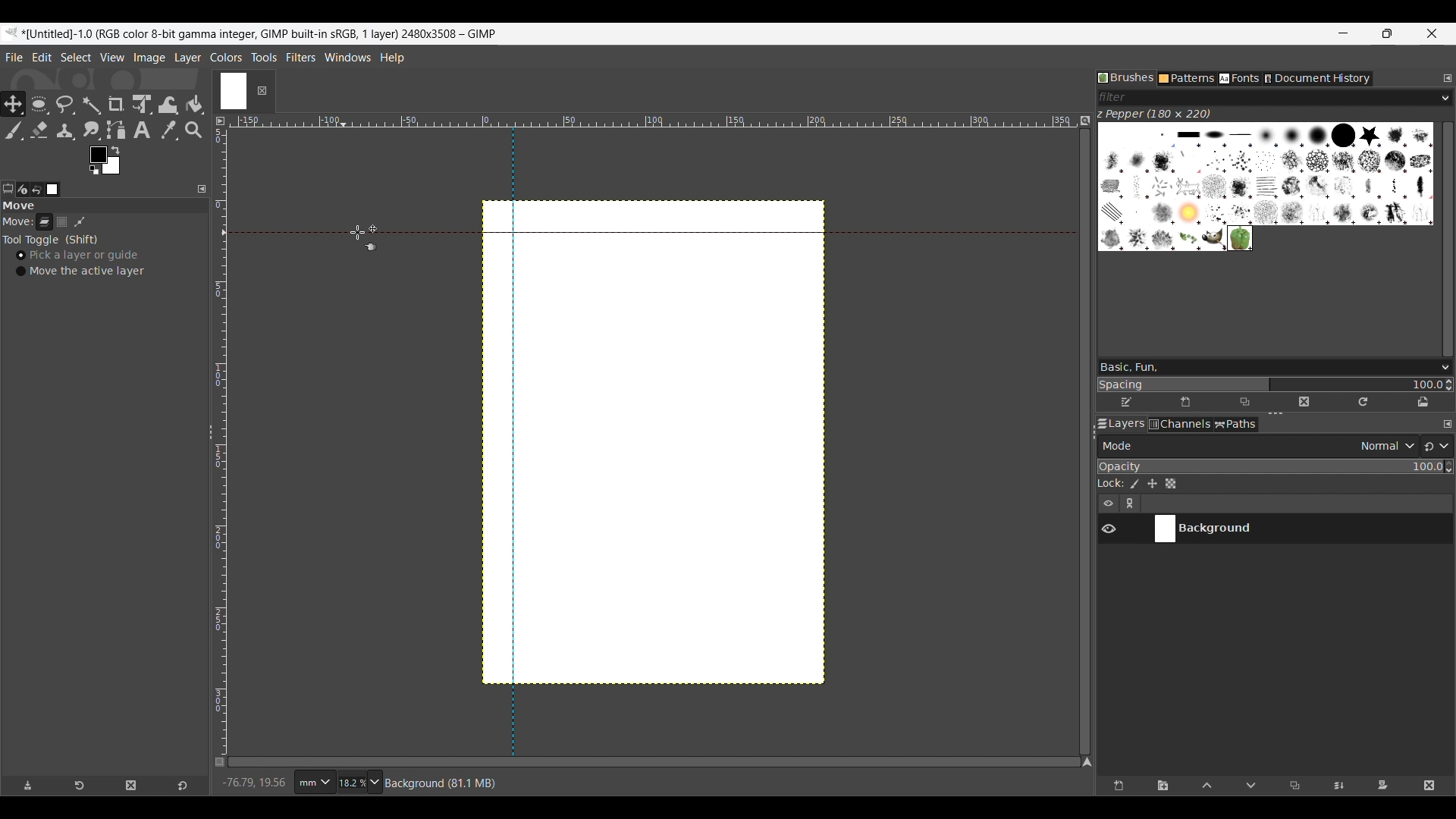 The height and width of the screenshot is (819, 1456). Describe the element at coordinates (11, 130) in the screenshot. I see `Paintbrush tool` at that location.